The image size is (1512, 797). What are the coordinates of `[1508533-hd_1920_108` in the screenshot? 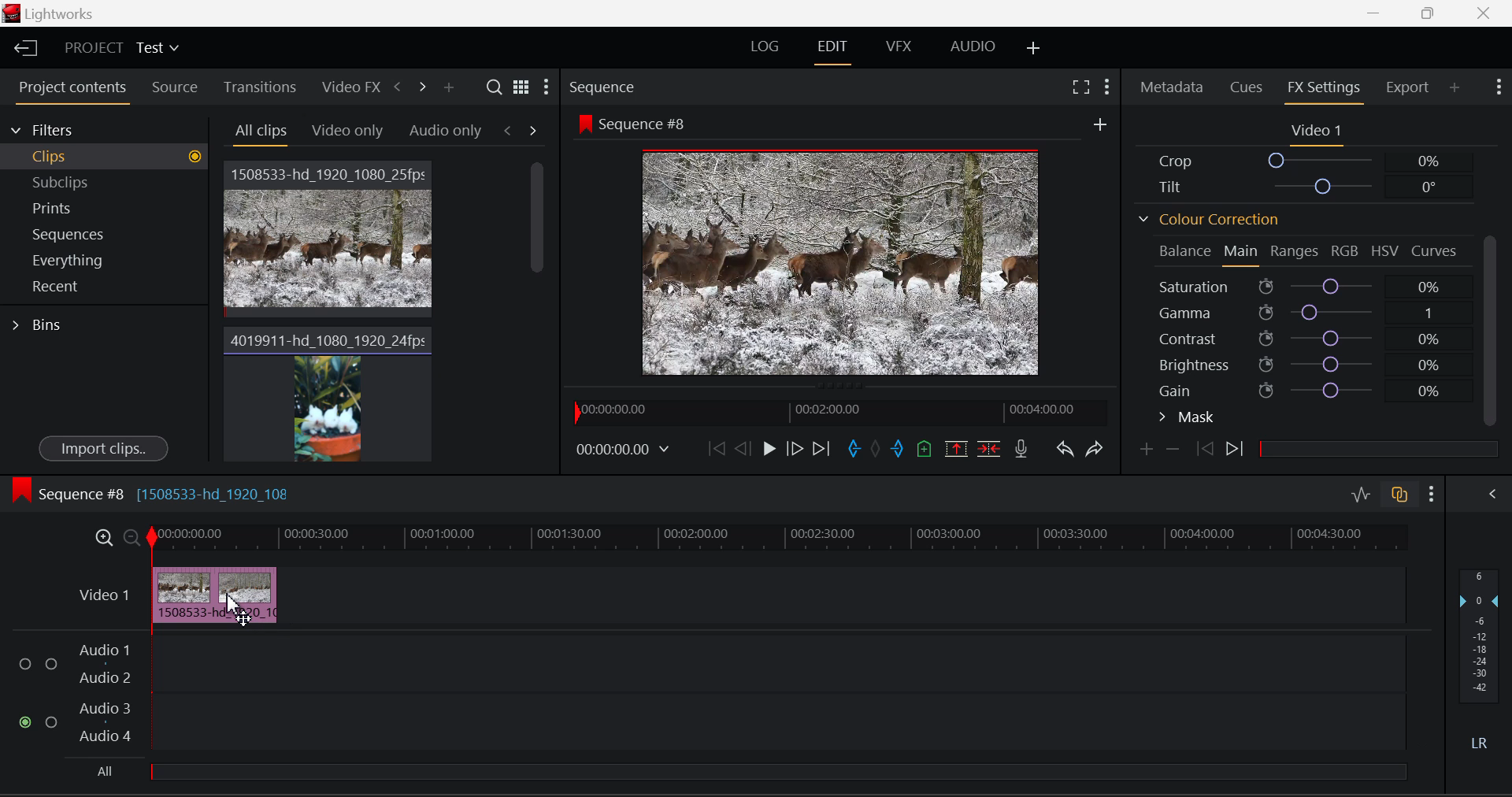 It's located at (217, 495).